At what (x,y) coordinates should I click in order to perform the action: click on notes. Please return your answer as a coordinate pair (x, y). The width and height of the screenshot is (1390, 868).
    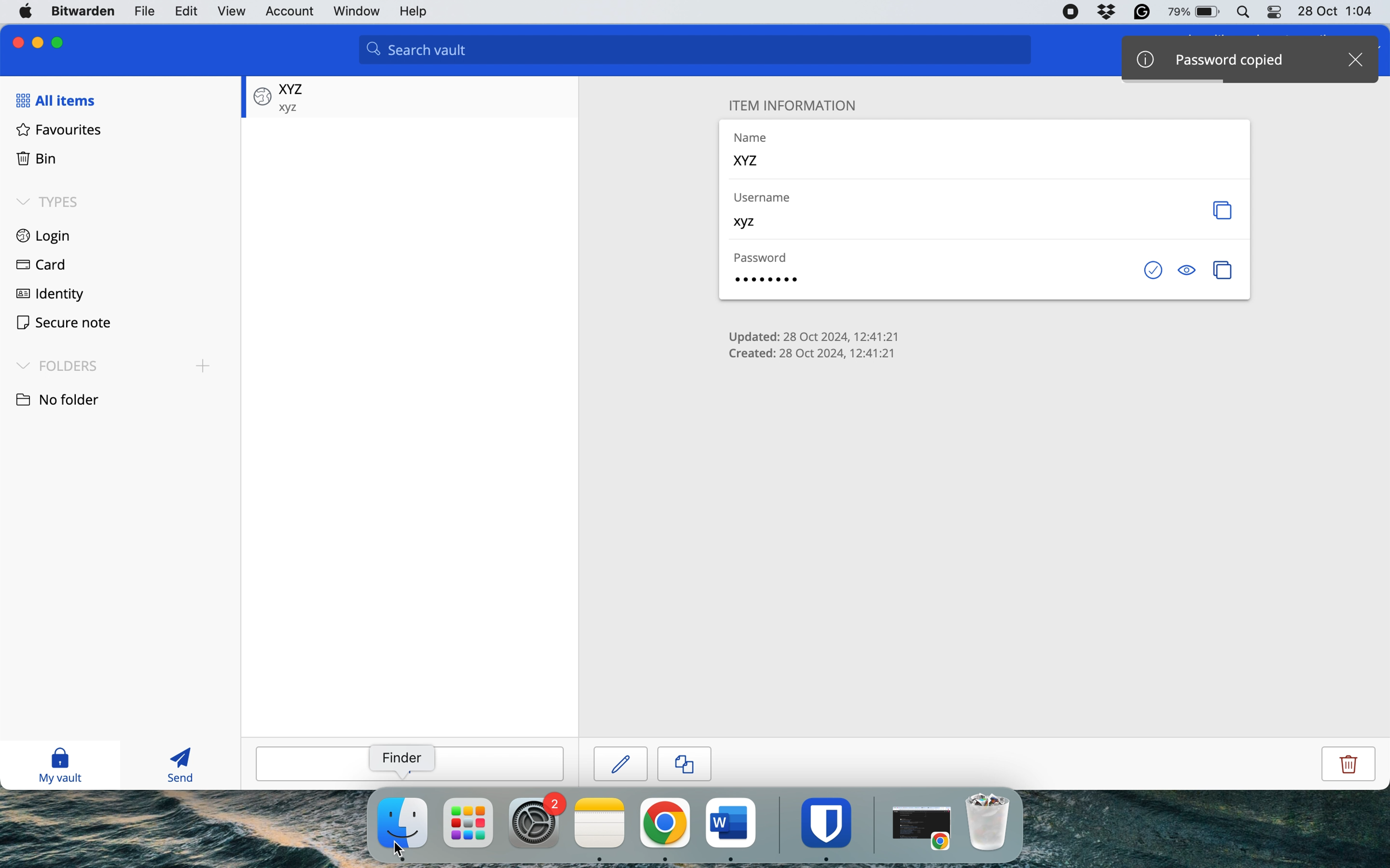
    Looking at the image, I should click on (601, 823).